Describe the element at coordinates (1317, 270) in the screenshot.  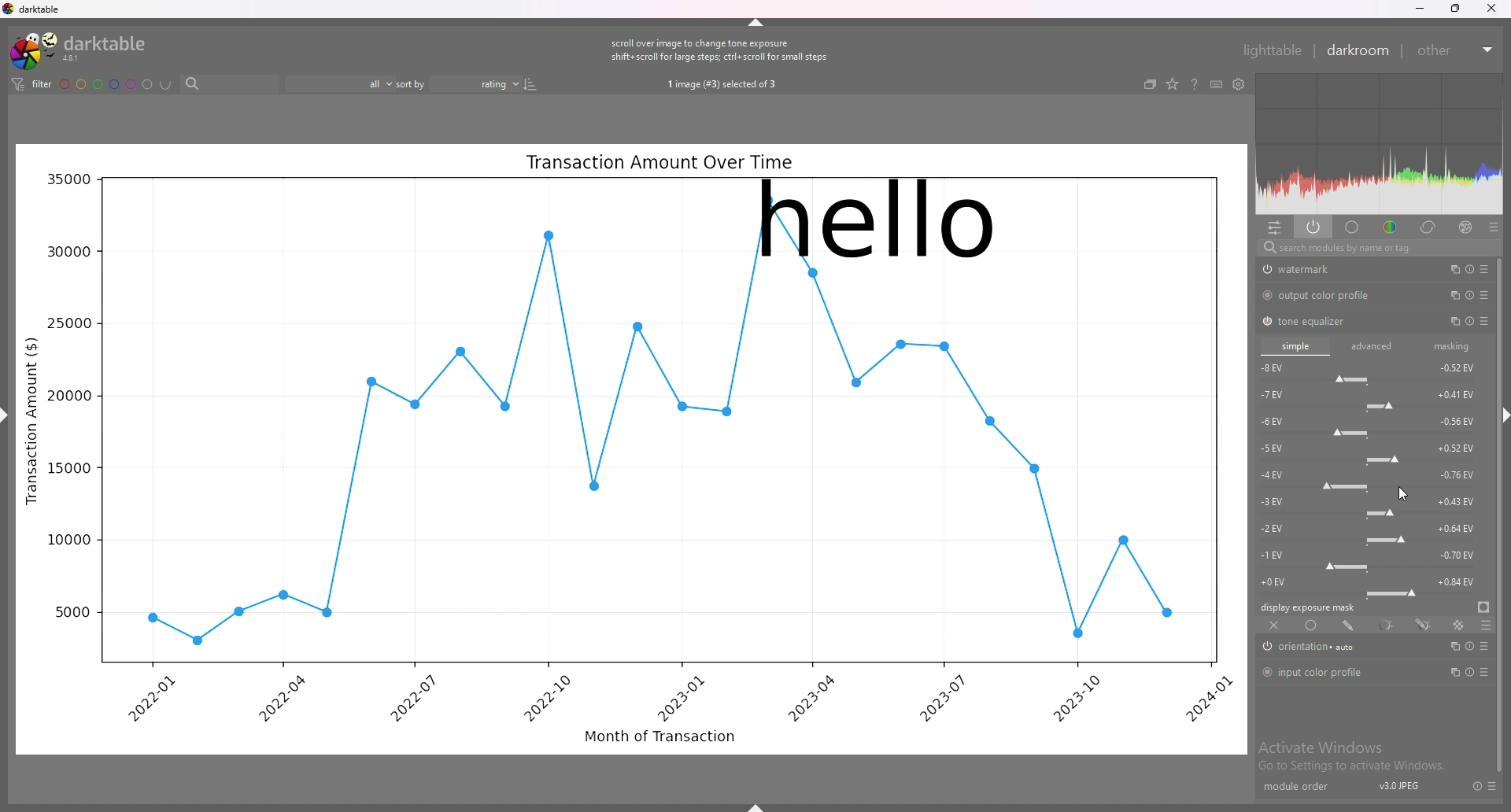
I see `watermark` at that location.